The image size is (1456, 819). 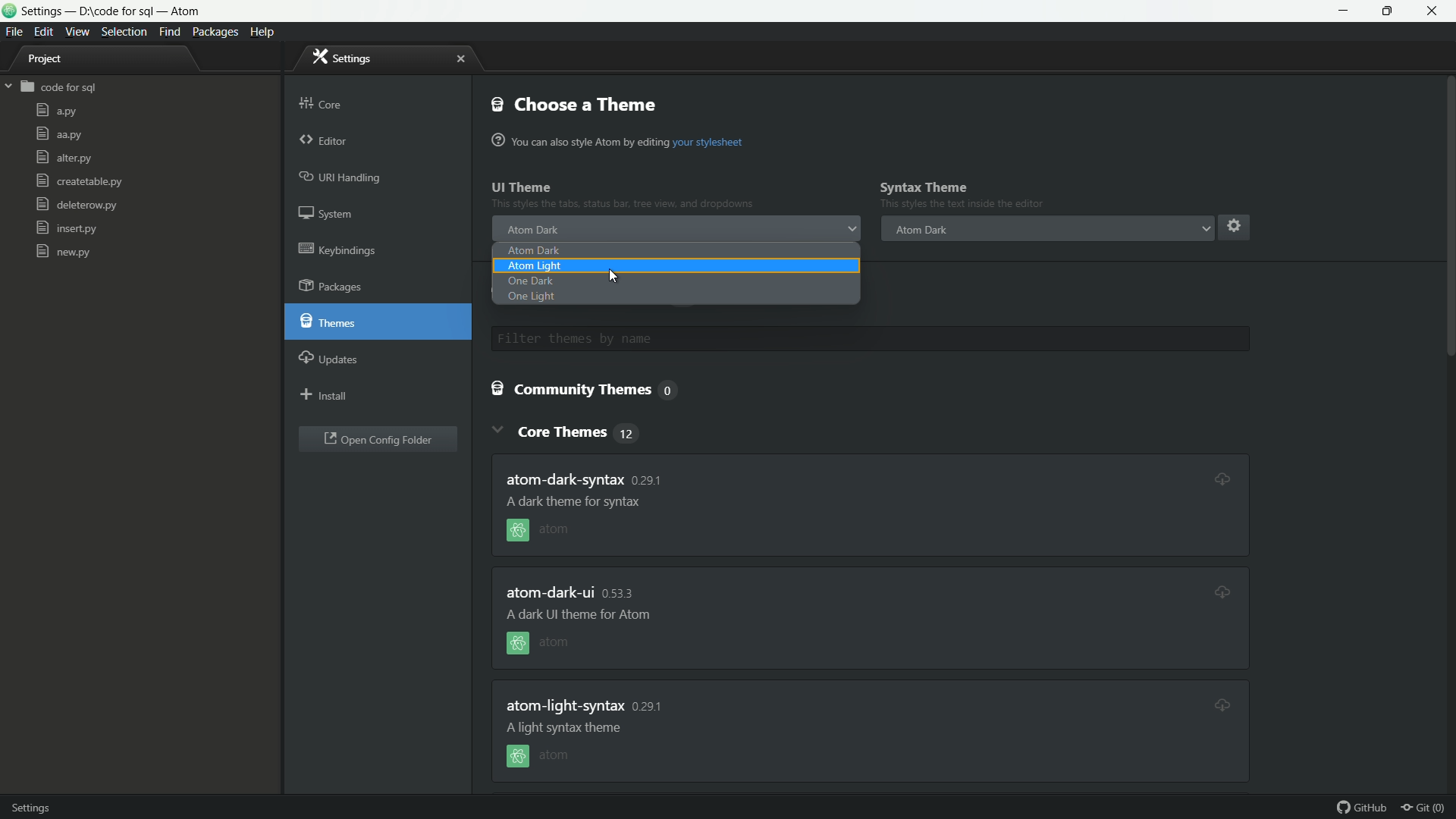 I want to click on packages menu, so click(x=217, y=32).